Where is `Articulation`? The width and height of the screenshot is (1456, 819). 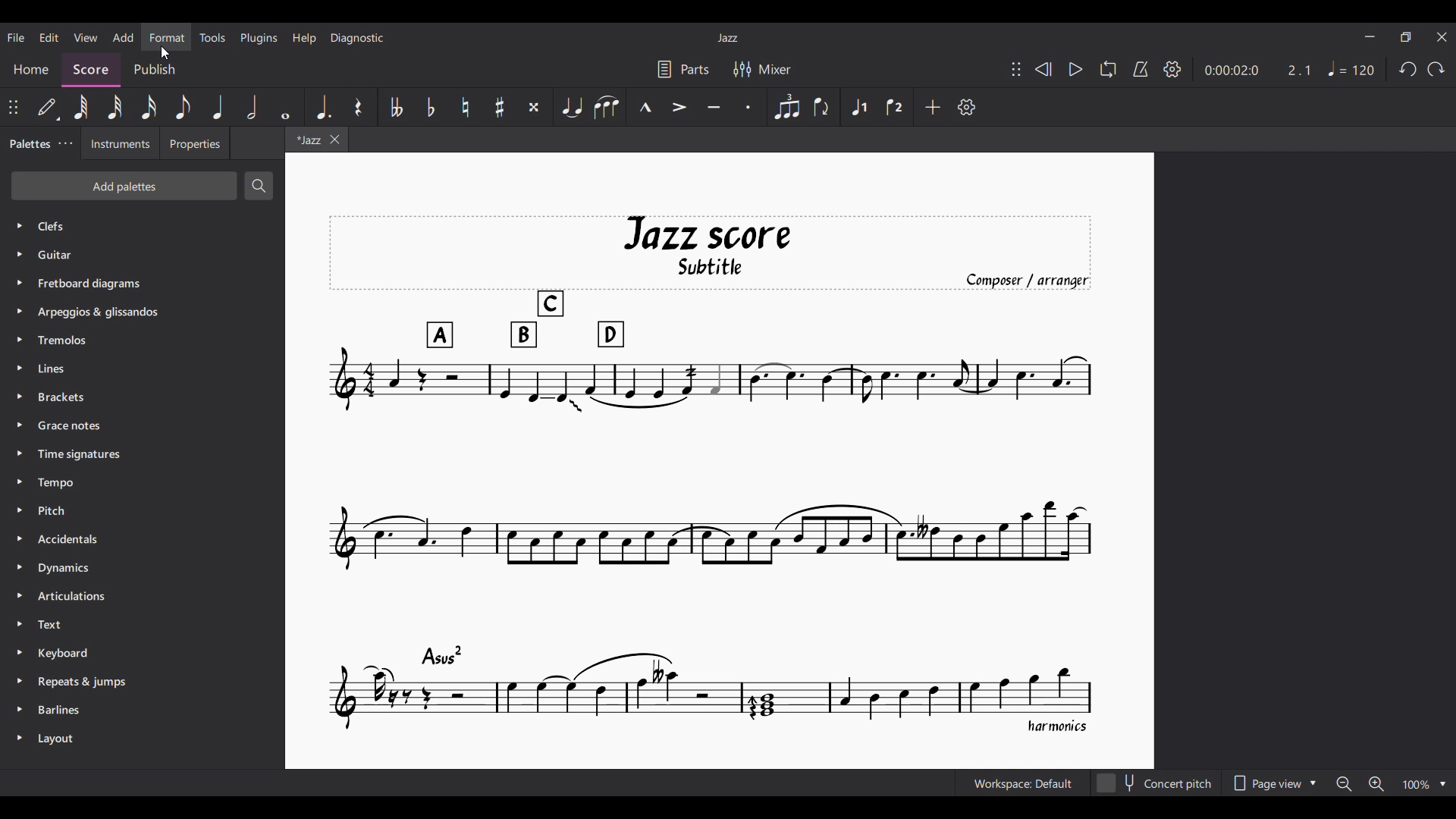 Articulation is located at coordinates (72, 598).